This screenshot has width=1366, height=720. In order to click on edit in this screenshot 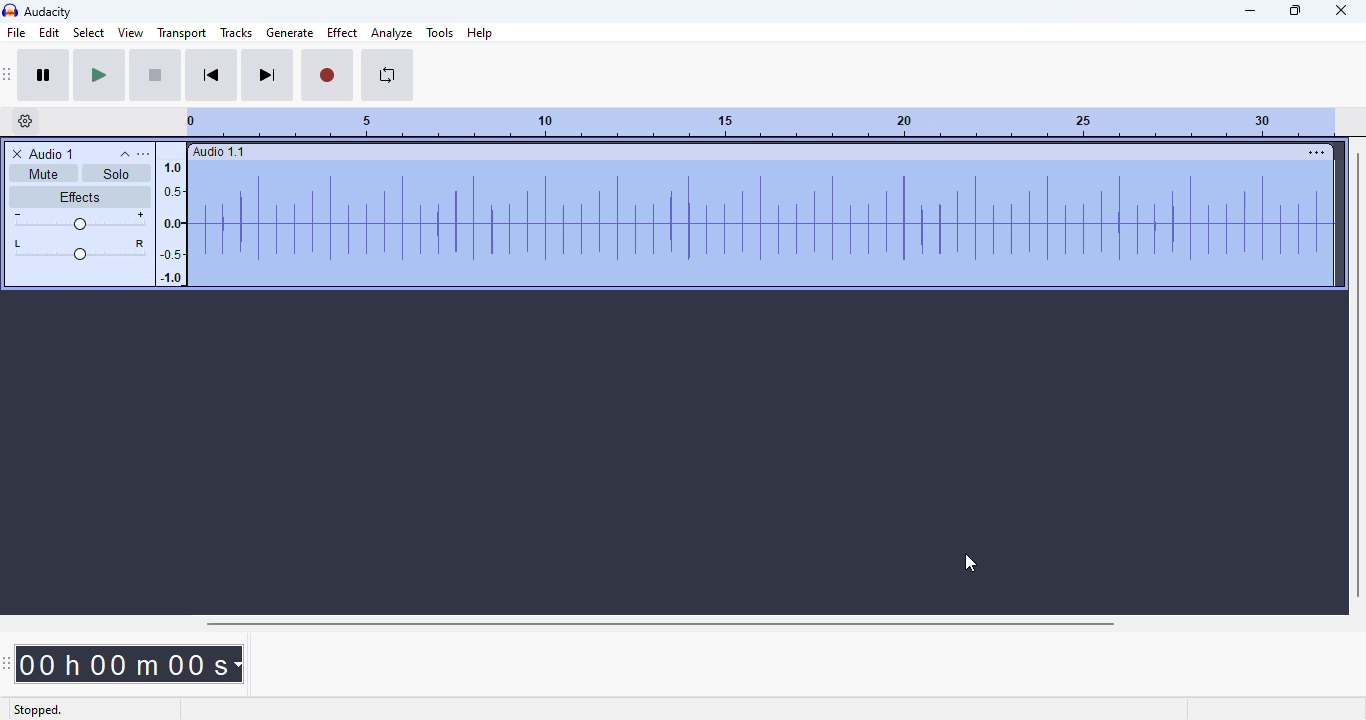, I will do `click(50, 32)`.